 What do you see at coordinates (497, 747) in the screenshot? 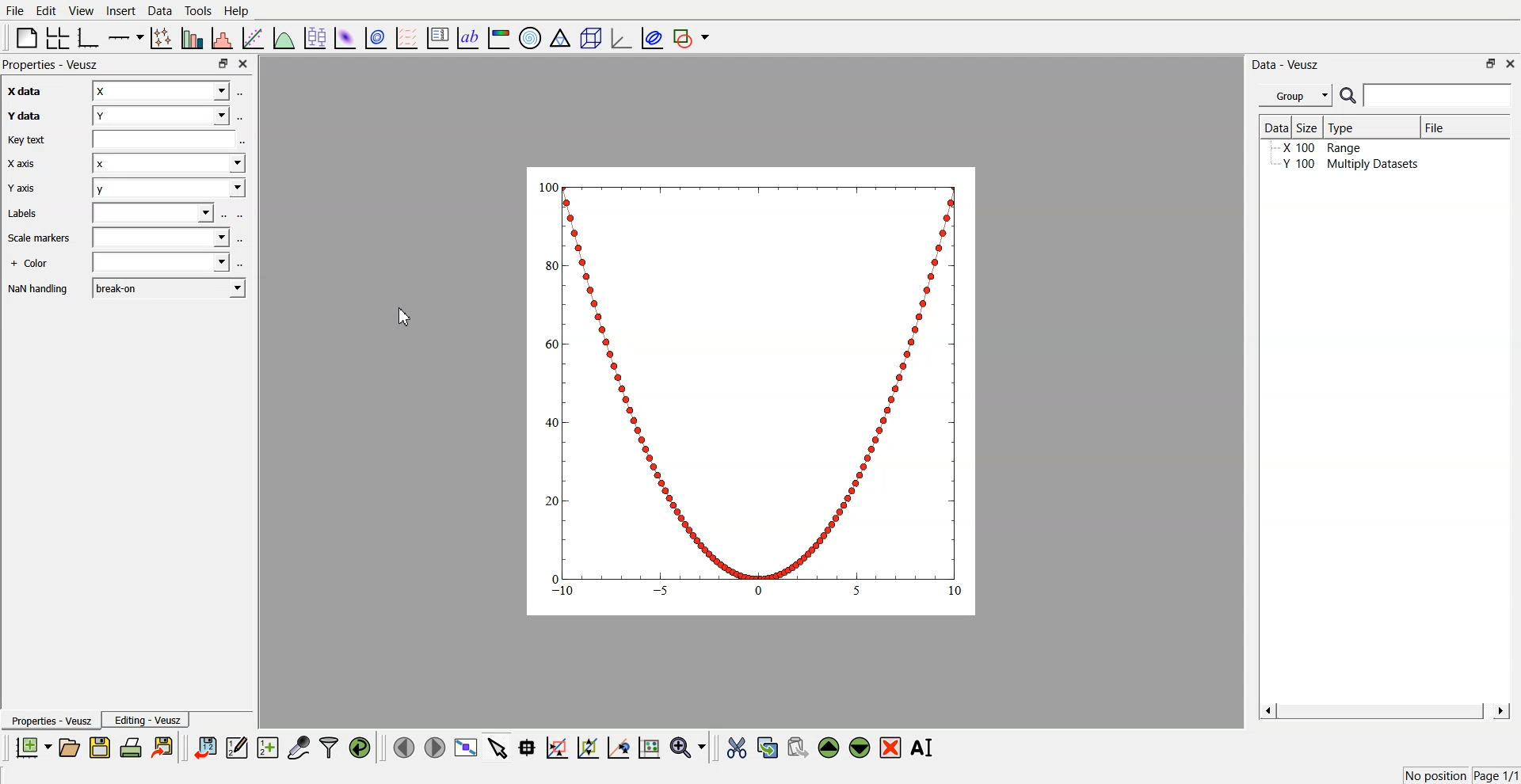
I see `select items` at bounding box center [497, 747].